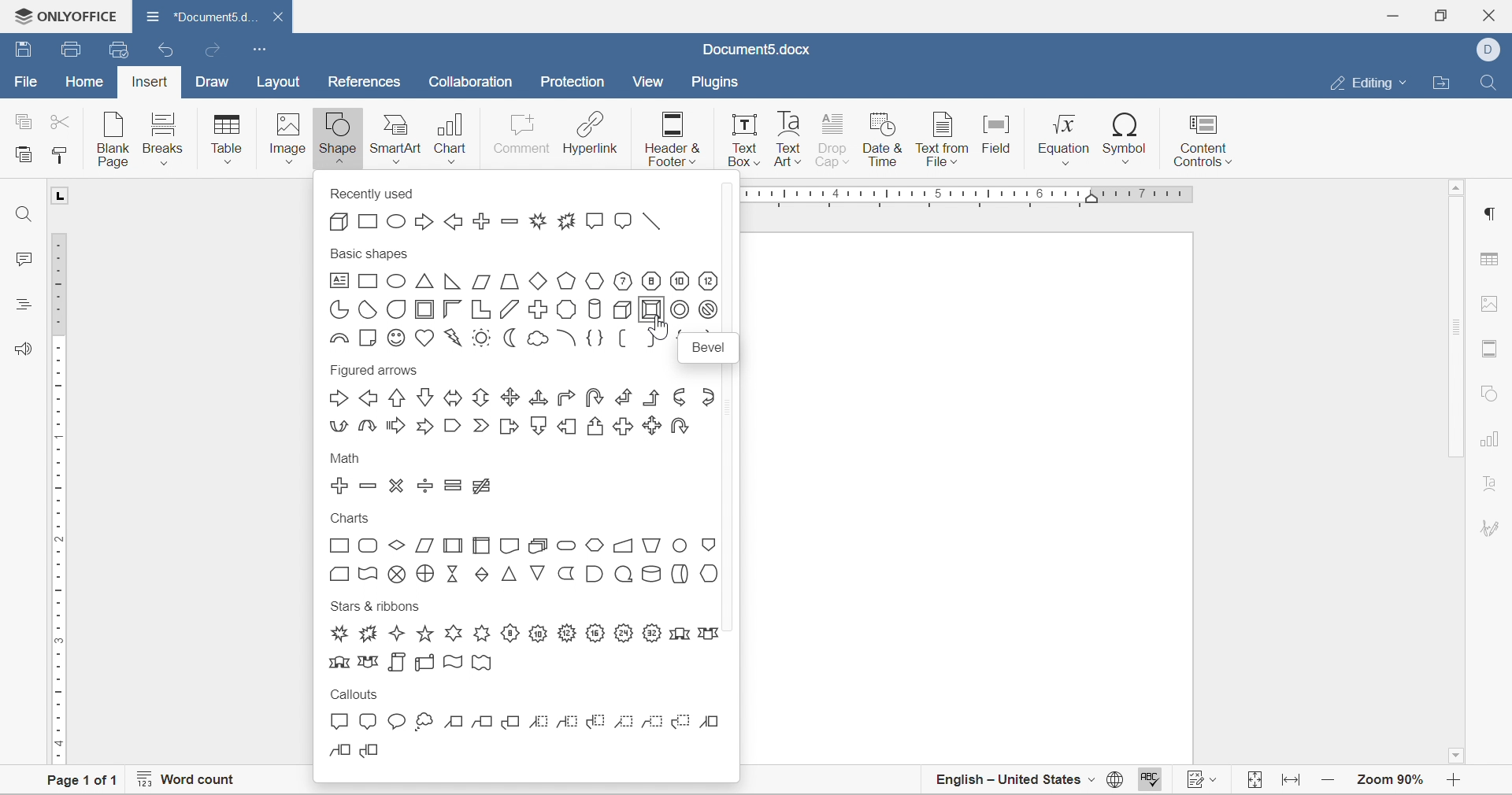 This screenshot has width=1512, height=795. Describe the element at coordinates (521, 549) in the screenshot. I see `charts` at that location.